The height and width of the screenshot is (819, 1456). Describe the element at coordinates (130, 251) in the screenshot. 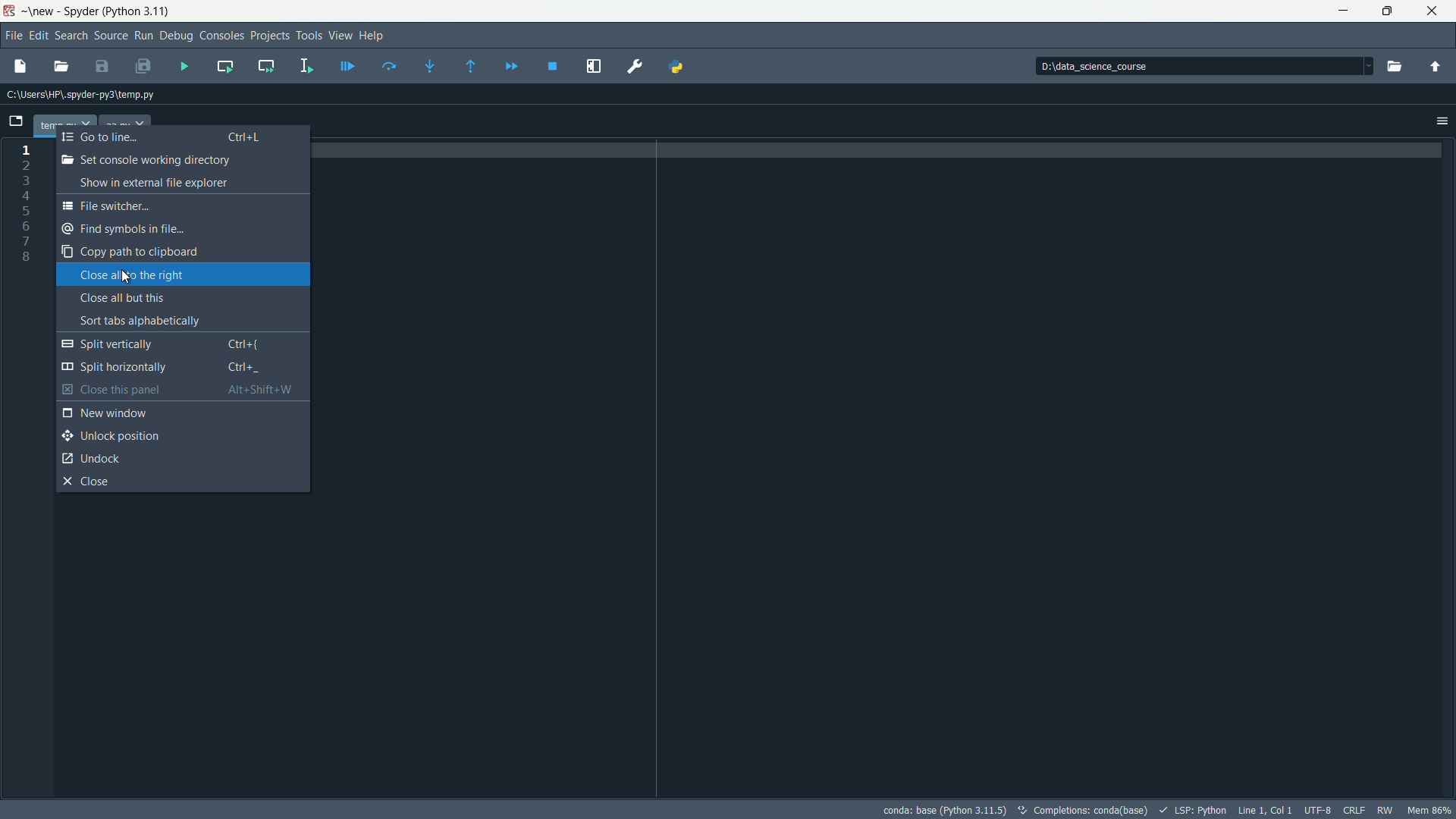

I see `copy to clipboard` at that location.